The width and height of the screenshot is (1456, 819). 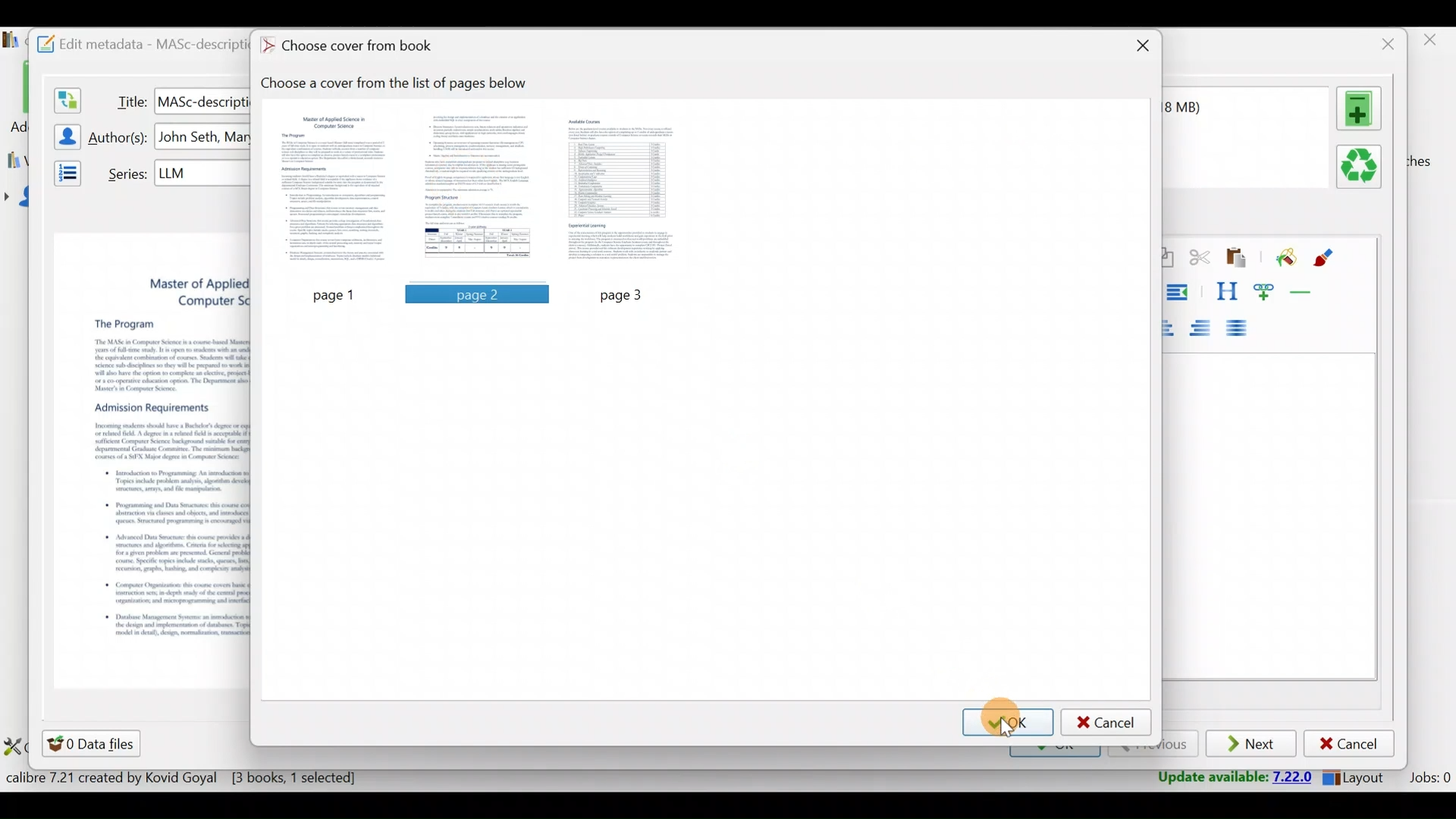 What do you see at coordinates (1200, 260) in the screenshot?
I see `Cut` at bounding box center [1200, 260].